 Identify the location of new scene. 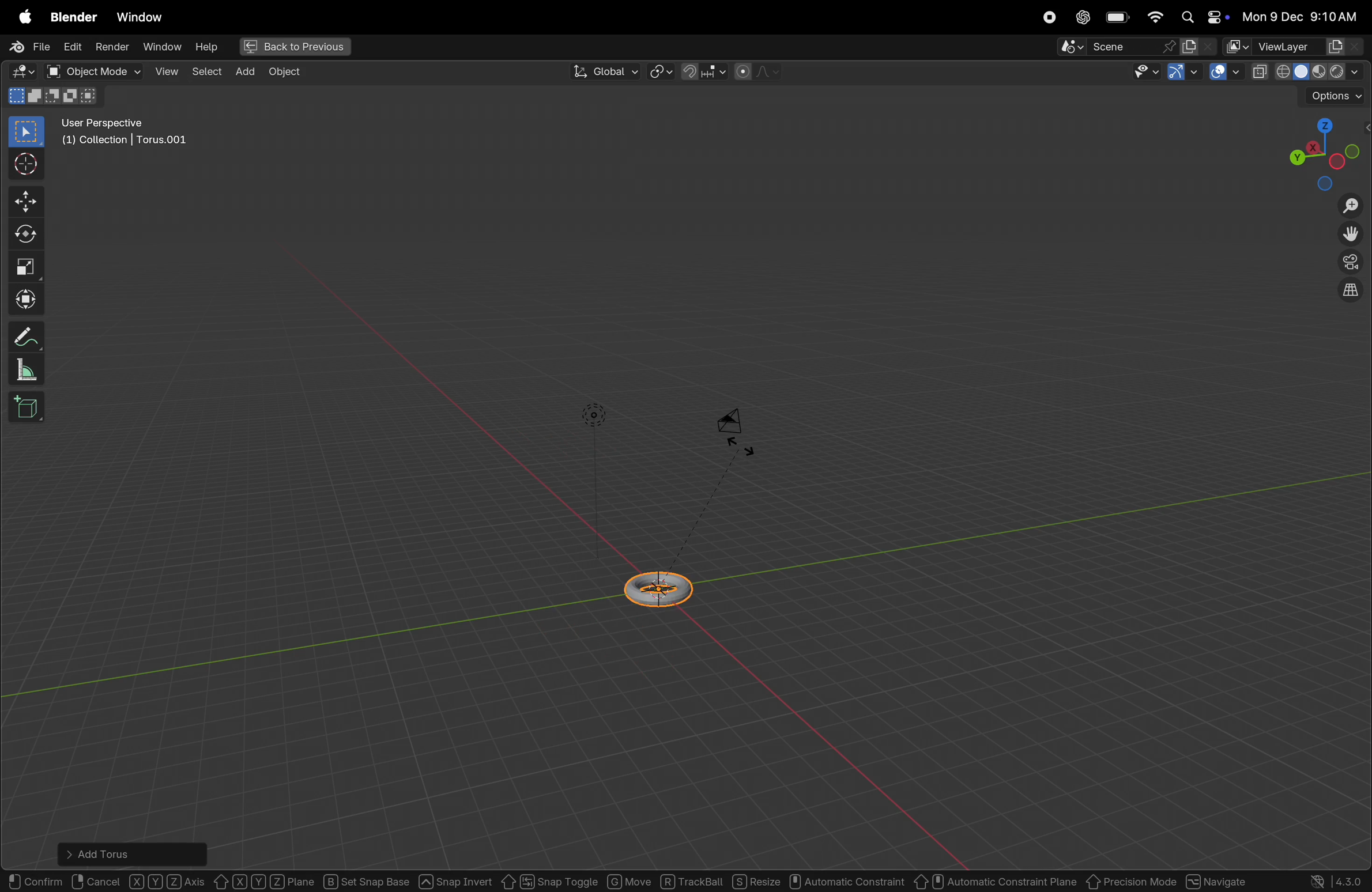
(1198, 47).